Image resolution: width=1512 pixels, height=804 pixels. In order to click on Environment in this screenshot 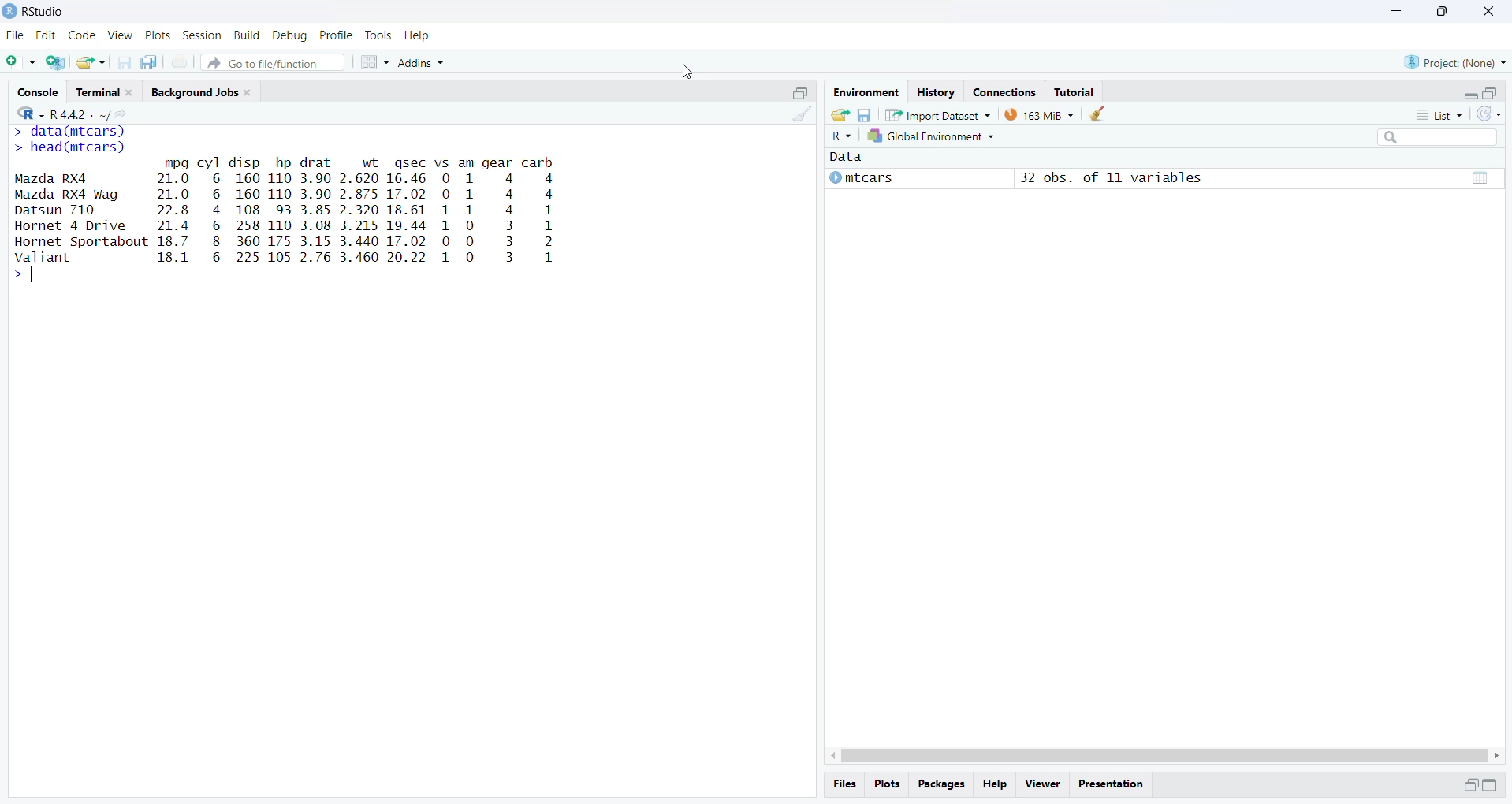, I will do `click(867, 93)`.